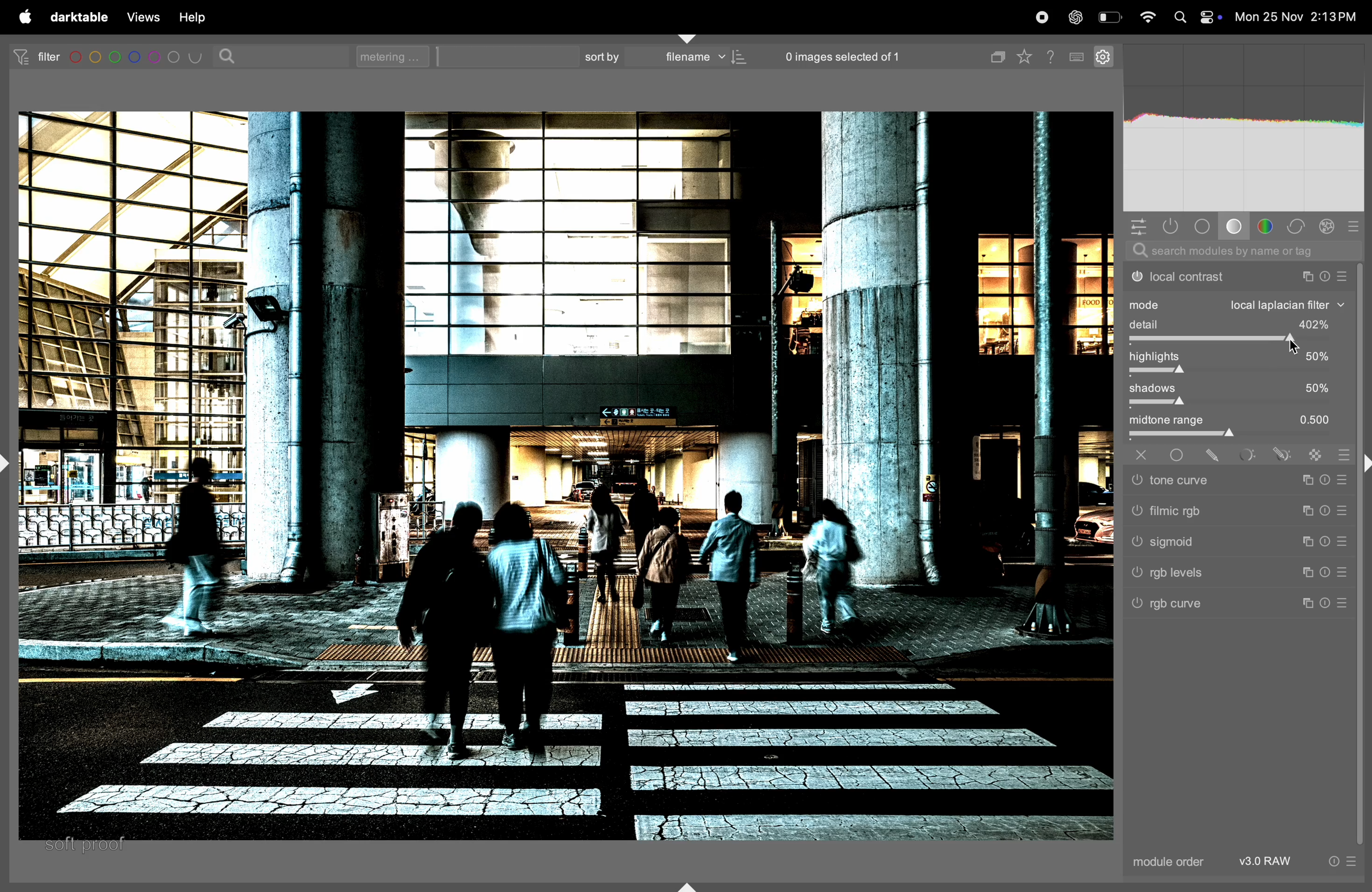 The width and height of the screenshot is (1372, 892). What do you see at coordinates (995, 54) in the screenshot?
I see `copy` at bounding box center [995, 54].